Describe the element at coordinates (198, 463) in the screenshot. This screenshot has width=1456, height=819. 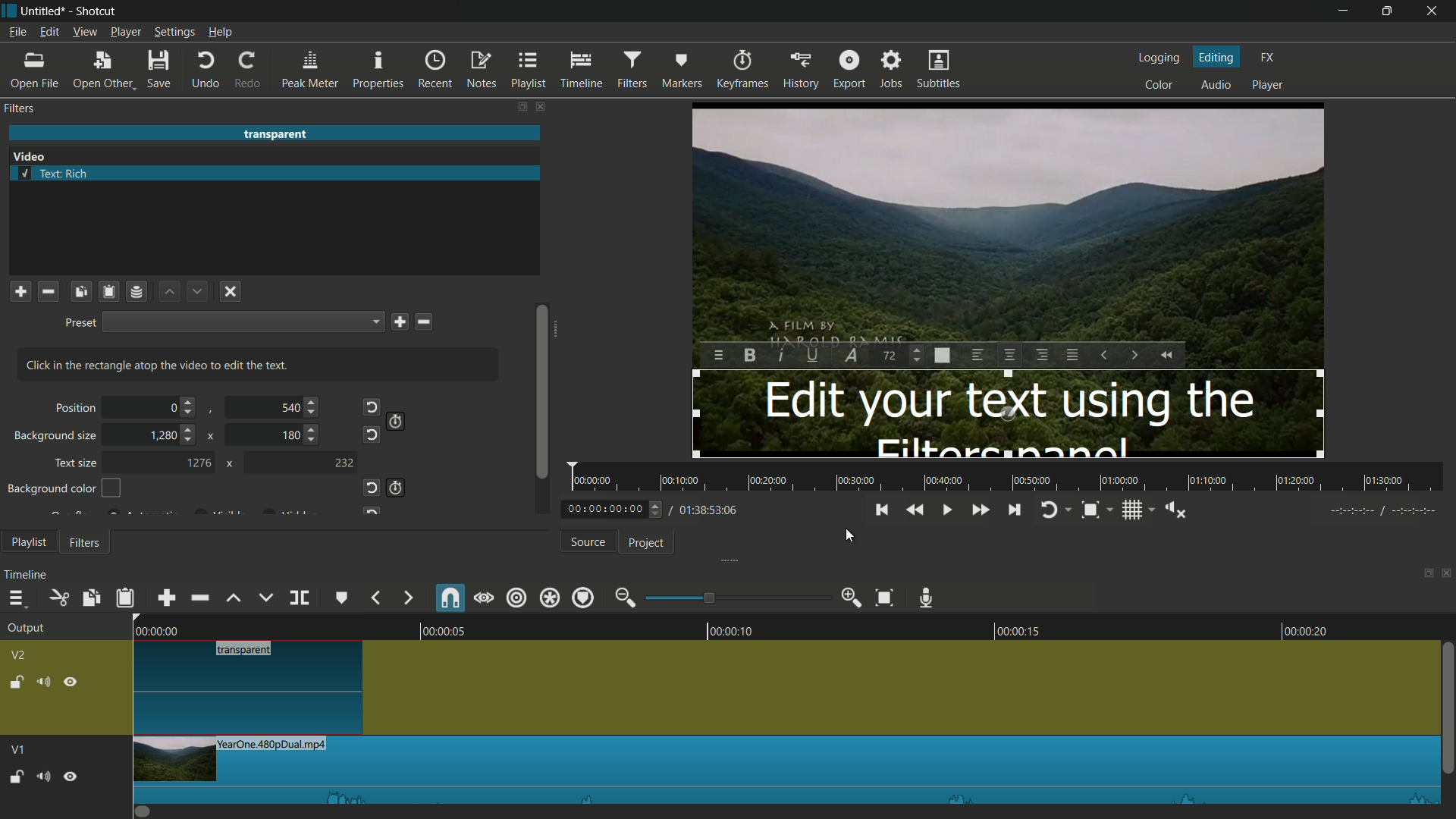
I see `1276` at that location.